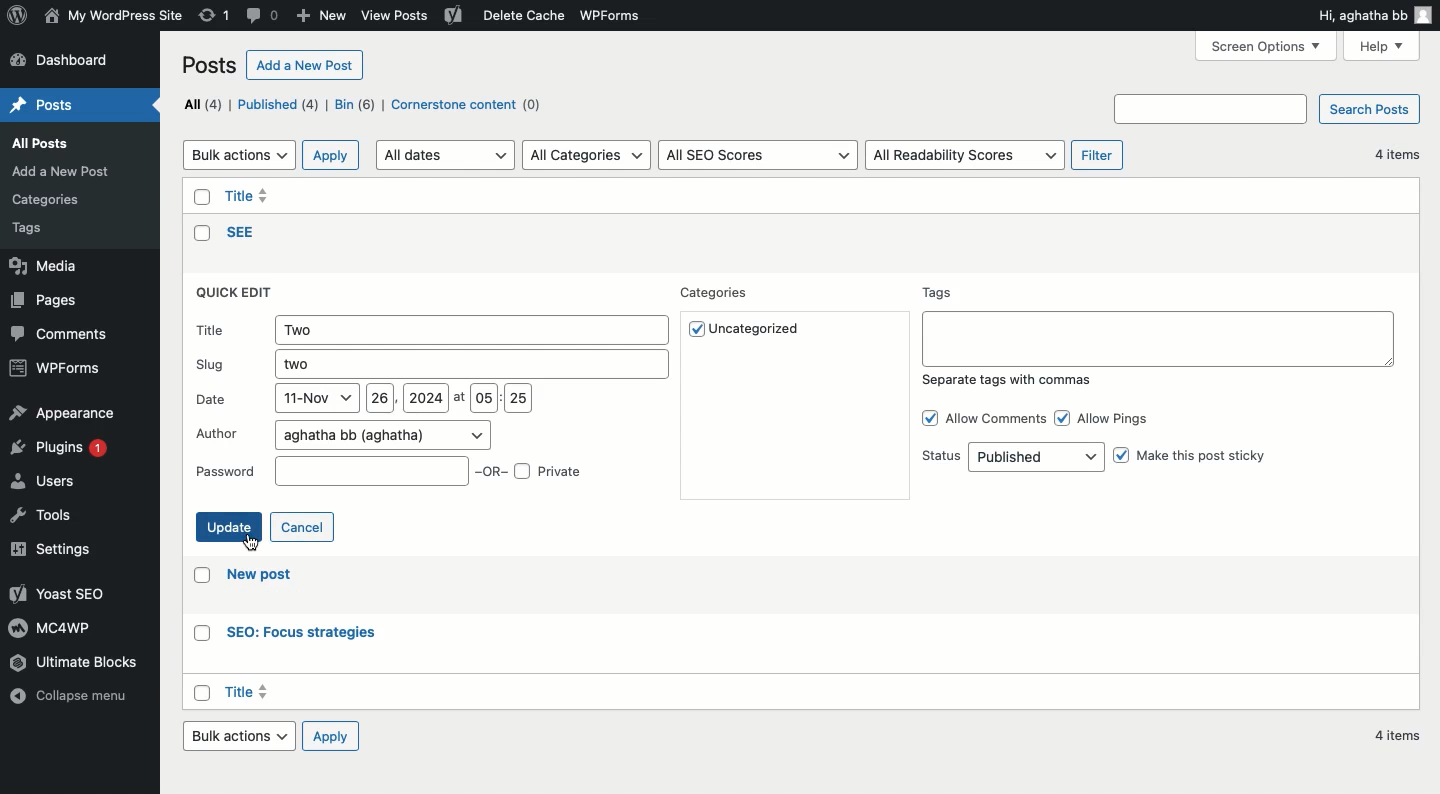 The width and height of the screenshot is (1440, 794). What do you see at coordinates (47, 301) in the screenshot?
I see `Pages` at bounding box center [47, 301].